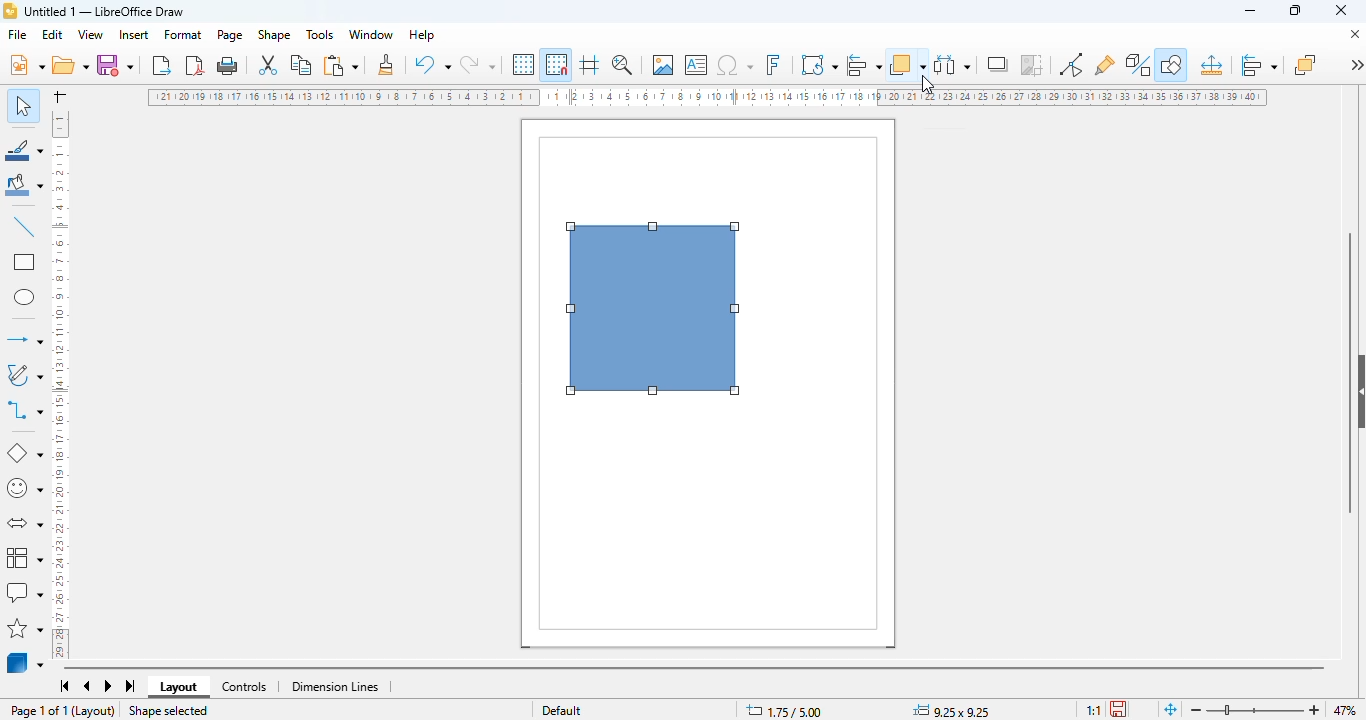 This screenshot has width=1366, height=720. What do you see at coordinates (1341, 10) in the screenshot?
I see `close` at bounding box center [1341, 10].